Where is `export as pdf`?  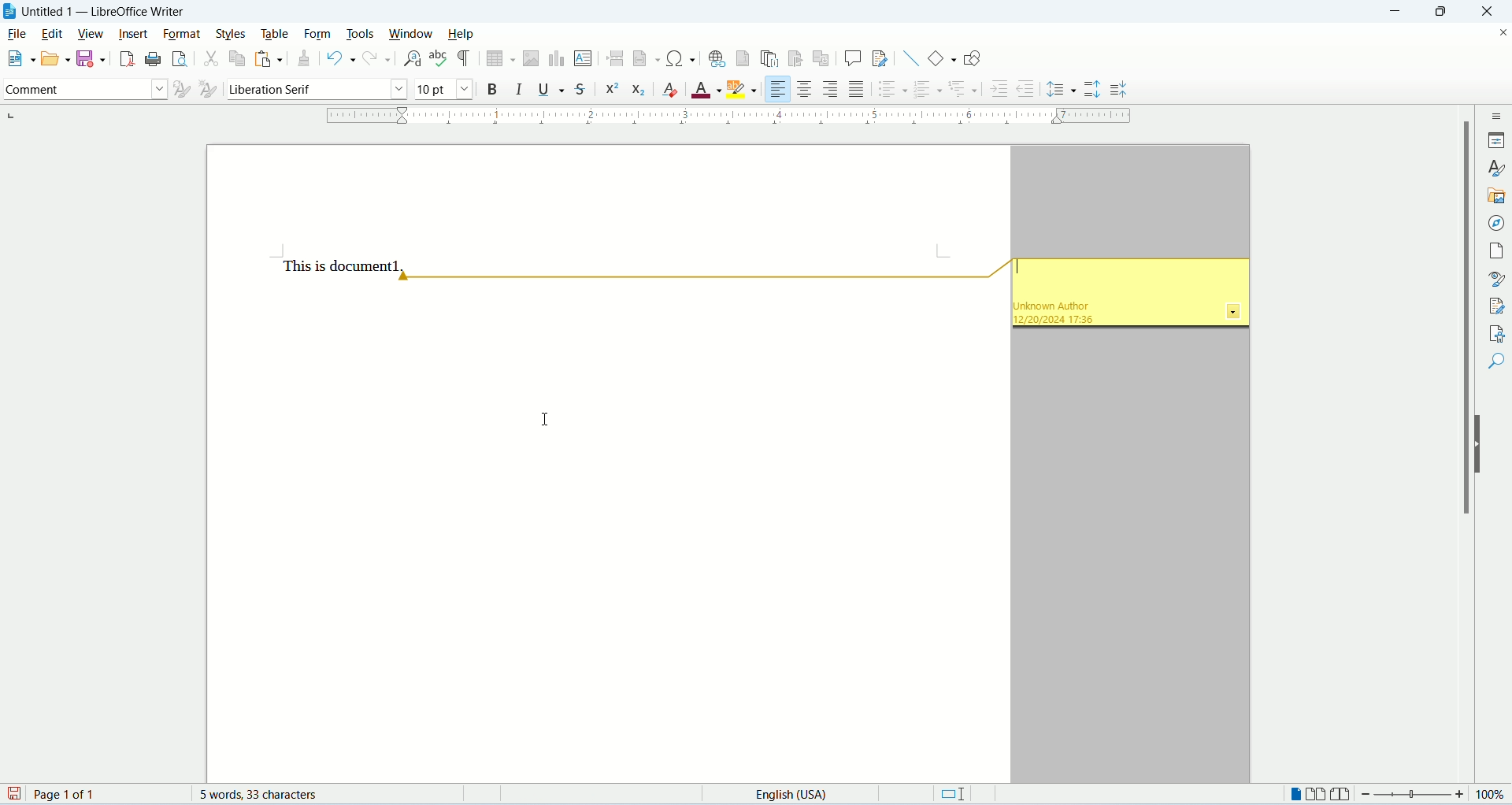
export as pdf is located at coordinates (125, 57).